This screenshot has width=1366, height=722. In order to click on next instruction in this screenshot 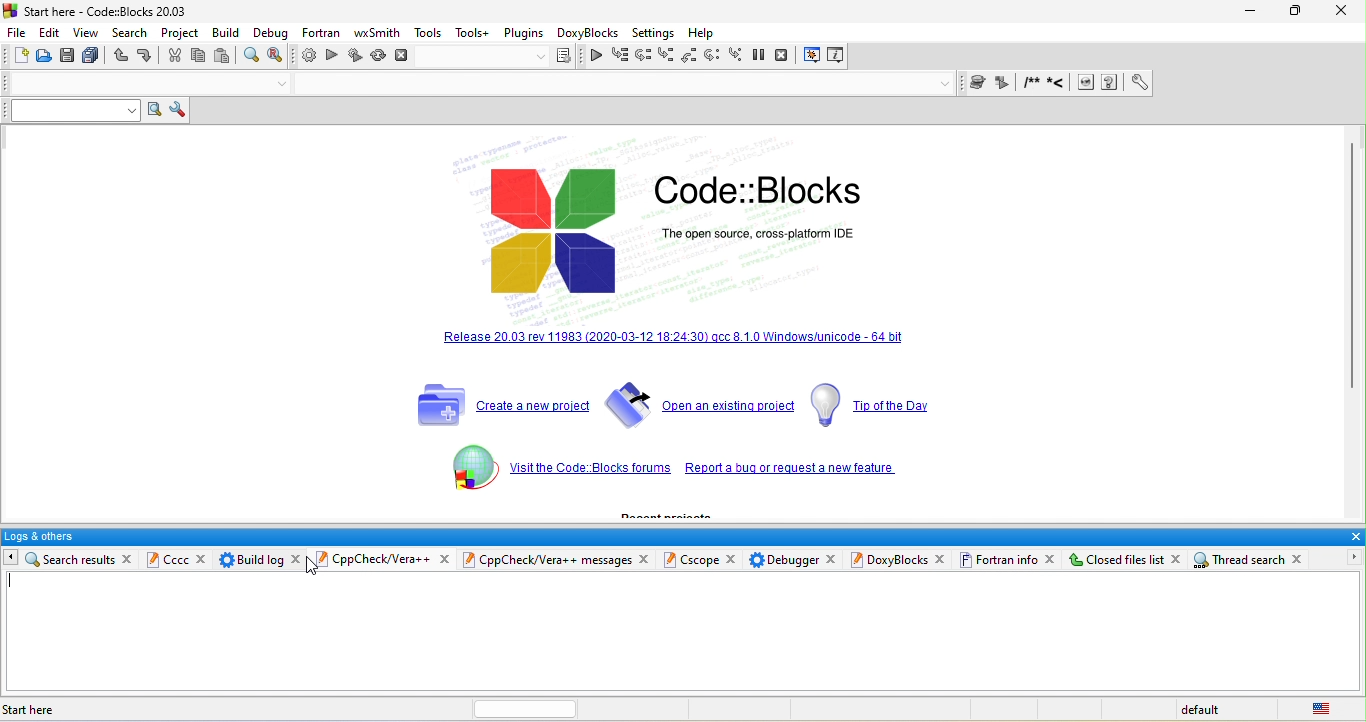, I will do `click(712, 57)`.